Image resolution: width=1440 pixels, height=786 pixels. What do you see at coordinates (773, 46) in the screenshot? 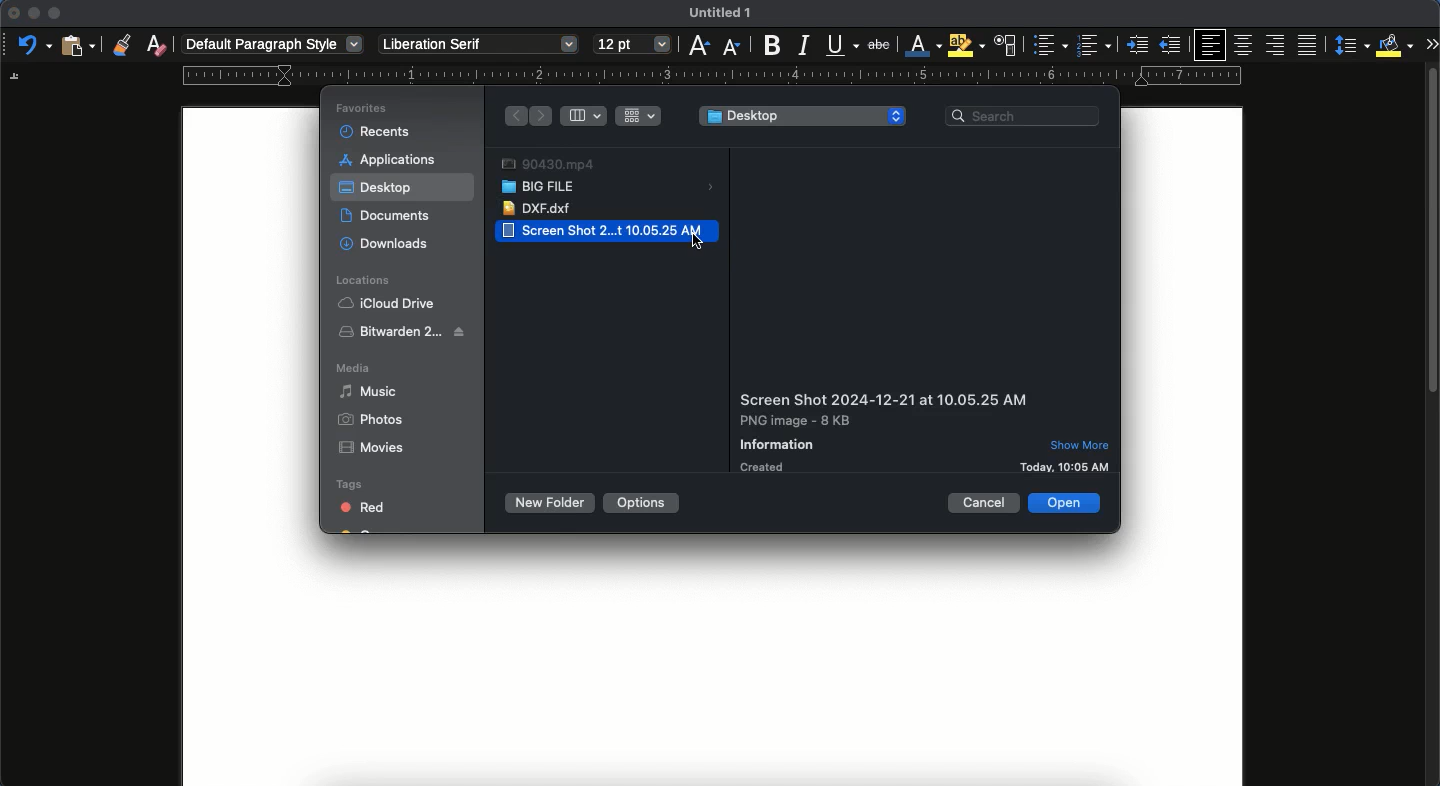
I see `bold` at bounding box center [773, 46].